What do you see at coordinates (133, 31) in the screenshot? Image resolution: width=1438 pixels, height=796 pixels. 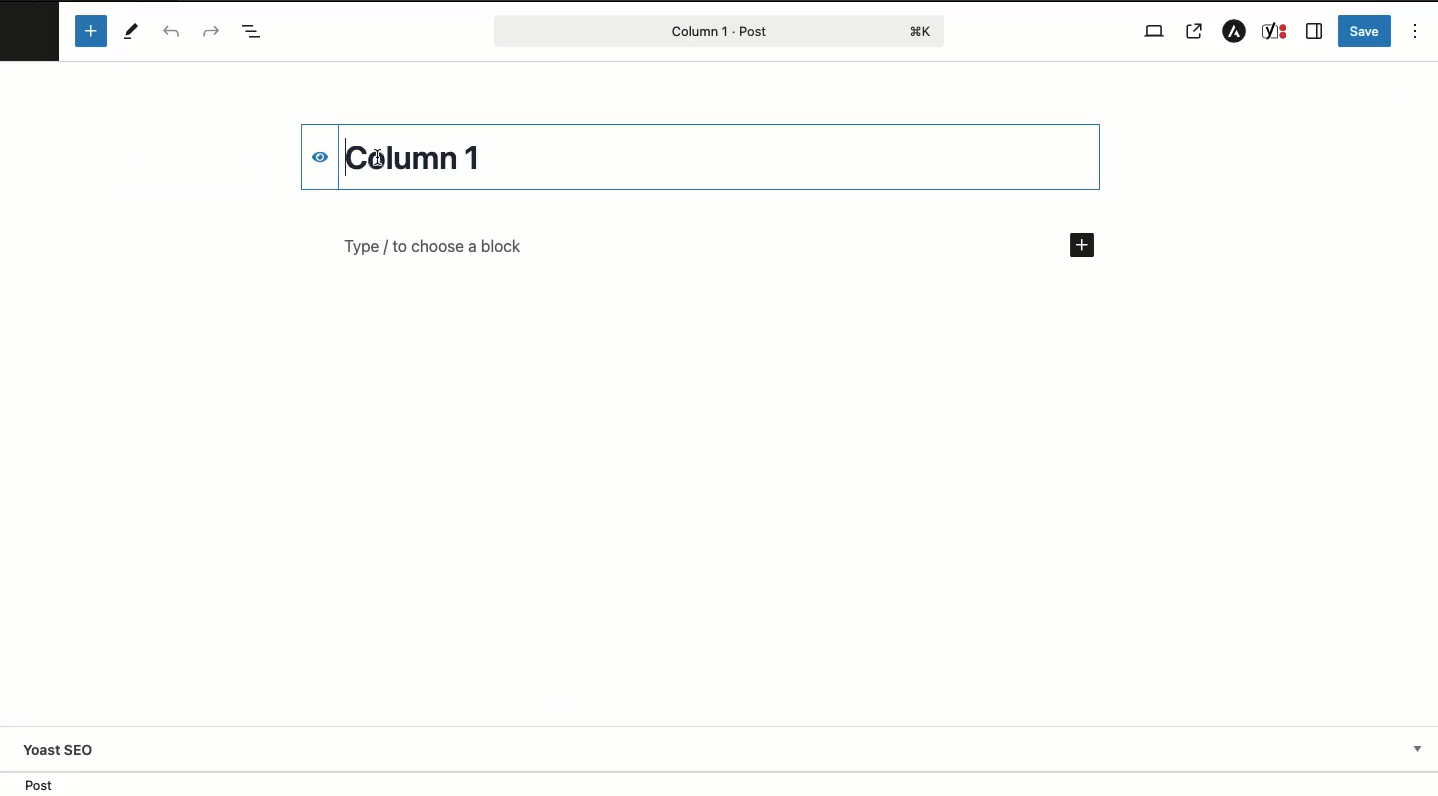 I see `Tools` at bounding box center [133, 31].